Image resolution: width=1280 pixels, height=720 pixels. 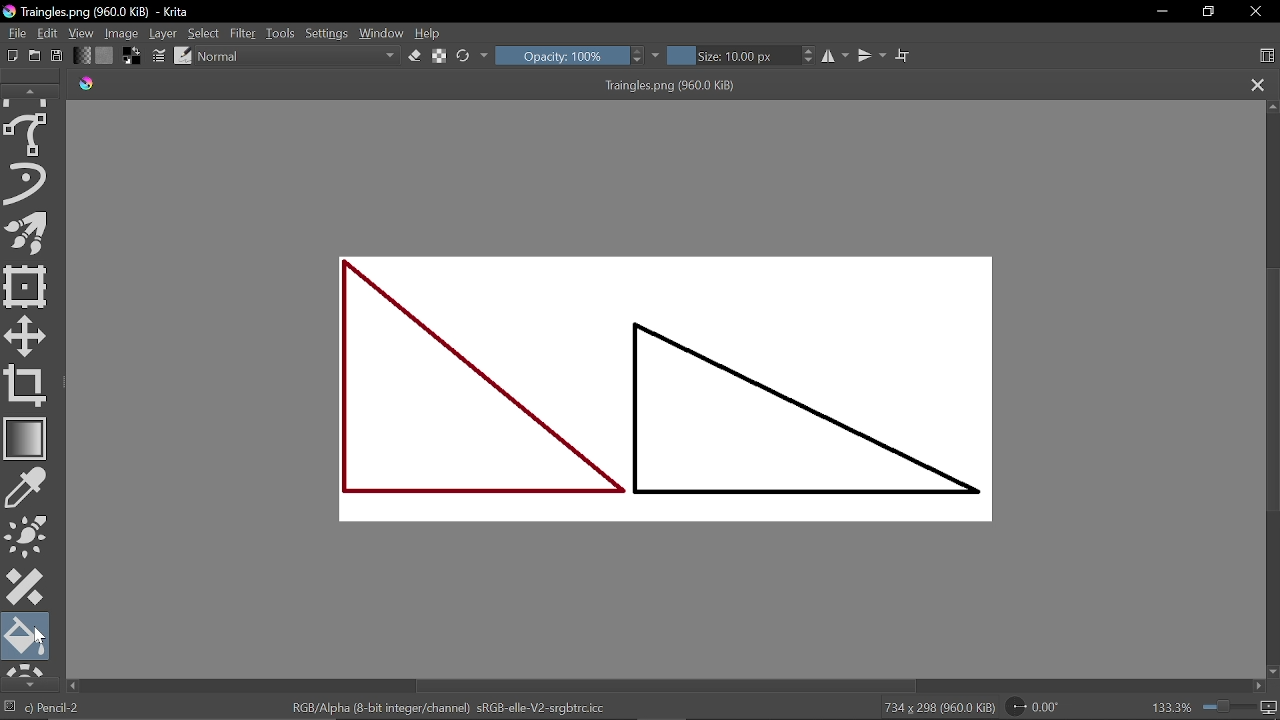 What do you see at coordinates (159, 56) in the screenshot?
I see `Edit brush settings` at bounding box center [159, 56].